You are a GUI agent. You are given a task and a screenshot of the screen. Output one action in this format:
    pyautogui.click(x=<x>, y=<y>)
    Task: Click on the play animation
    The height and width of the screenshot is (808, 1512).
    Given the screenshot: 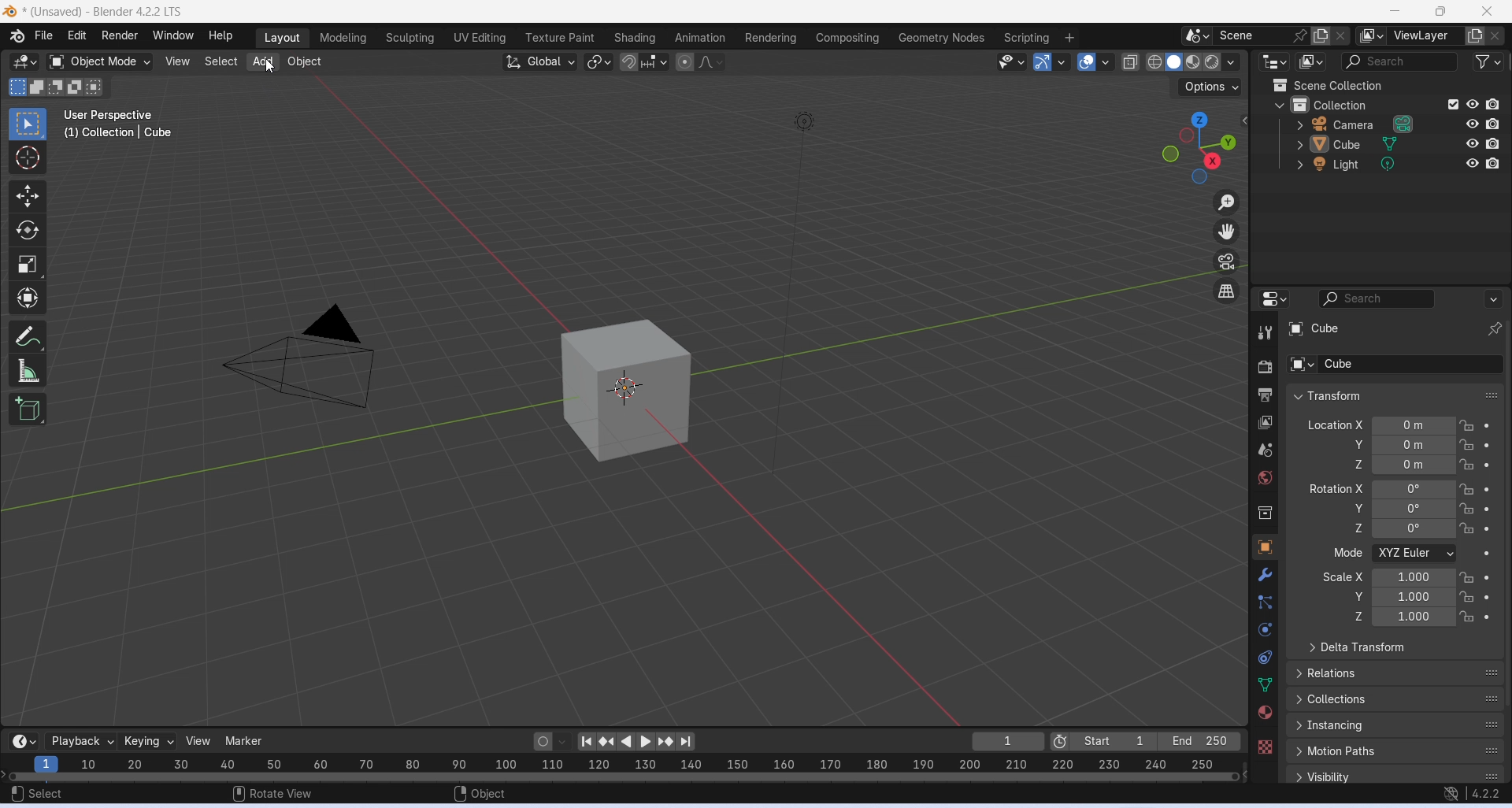 What is the action you would take?
    pyautogui.click(x=627, y=743)
    